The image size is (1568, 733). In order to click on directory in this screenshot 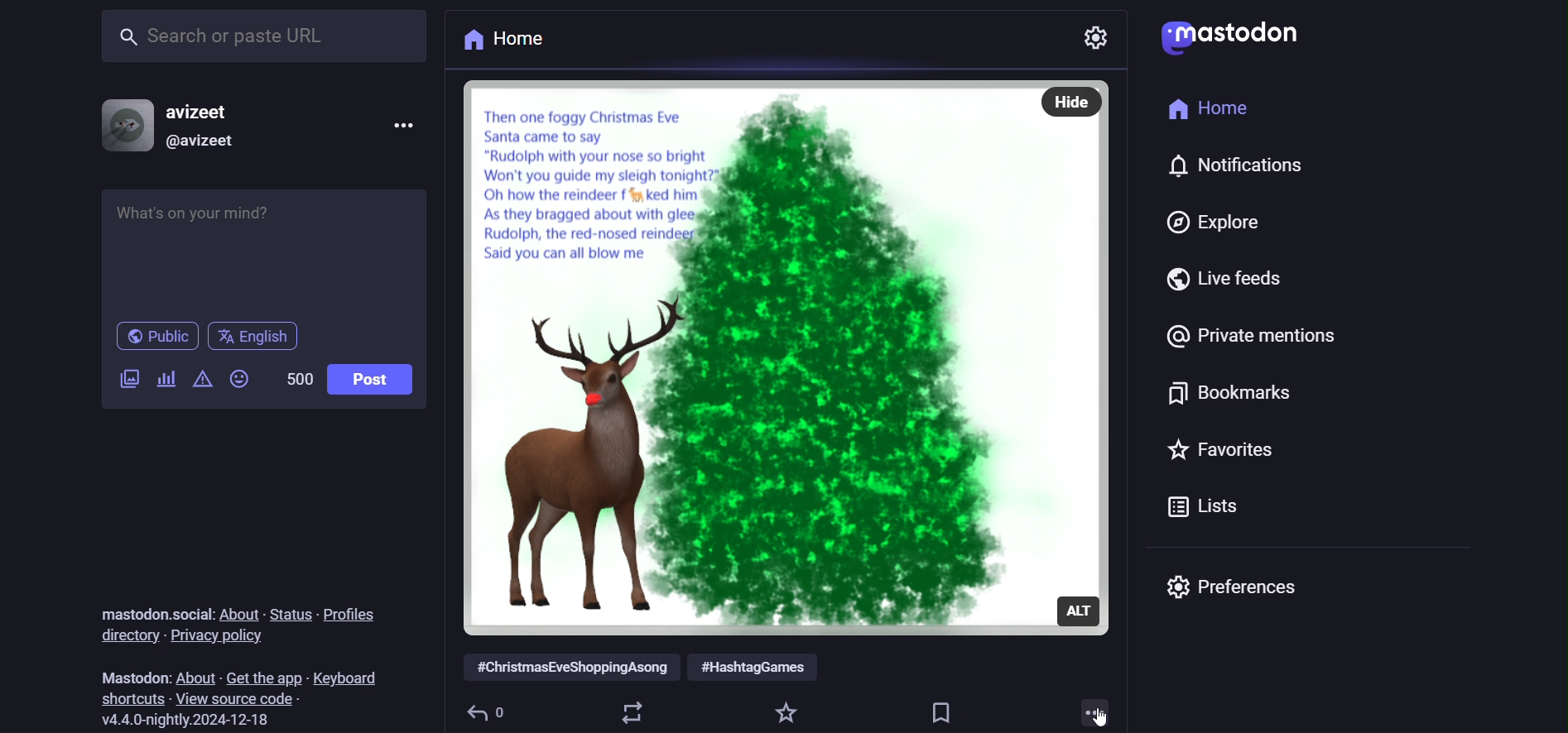, I will do `click(125, 635)`.